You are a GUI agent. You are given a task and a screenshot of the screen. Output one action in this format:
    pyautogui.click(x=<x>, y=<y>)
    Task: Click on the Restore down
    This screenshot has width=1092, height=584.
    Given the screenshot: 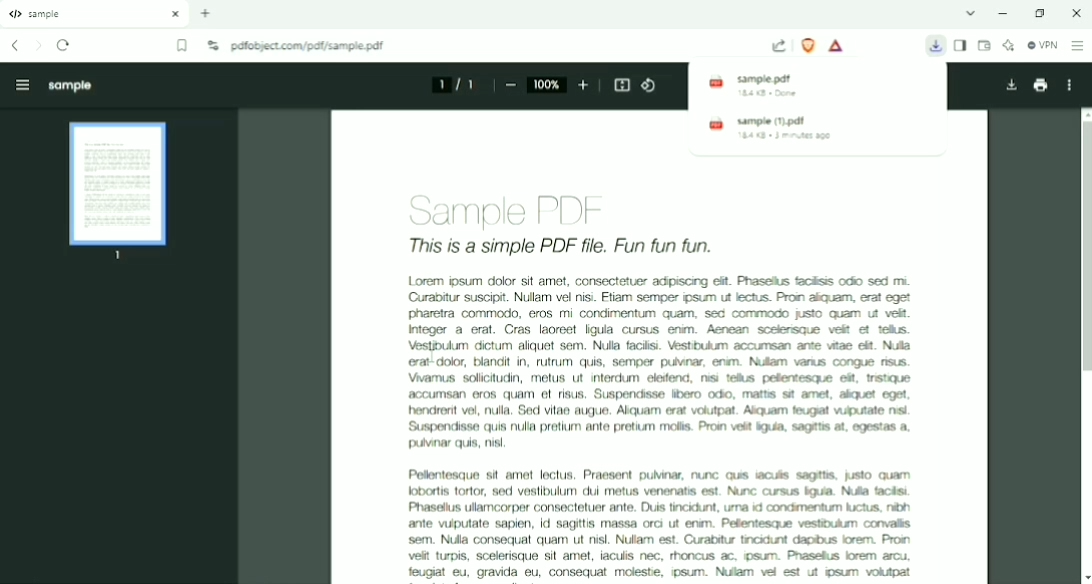 What is the action you would take?
    pyautogui.click(x=1040, y=13)
    